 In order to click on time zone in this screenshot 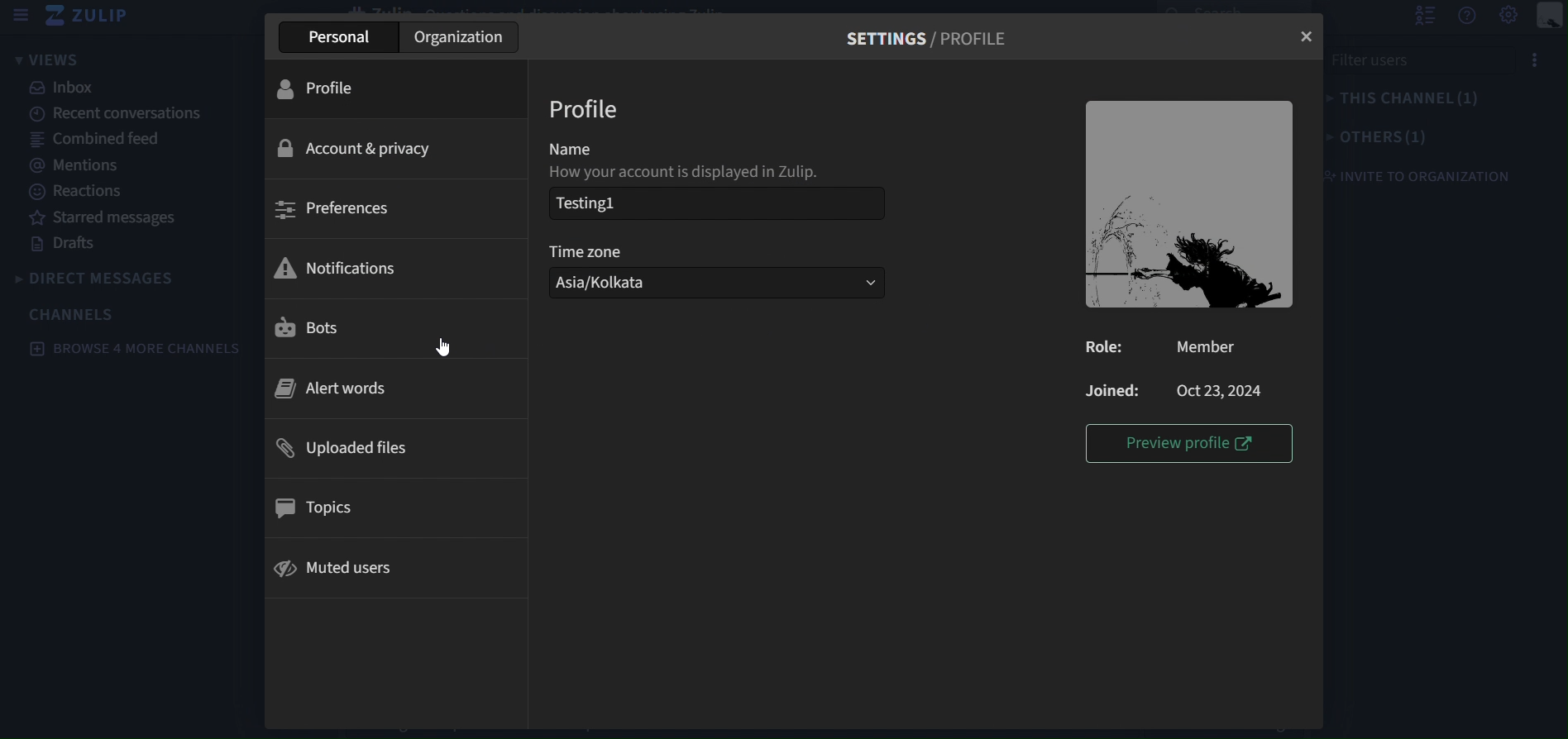, I will do `click(599, 250)`.